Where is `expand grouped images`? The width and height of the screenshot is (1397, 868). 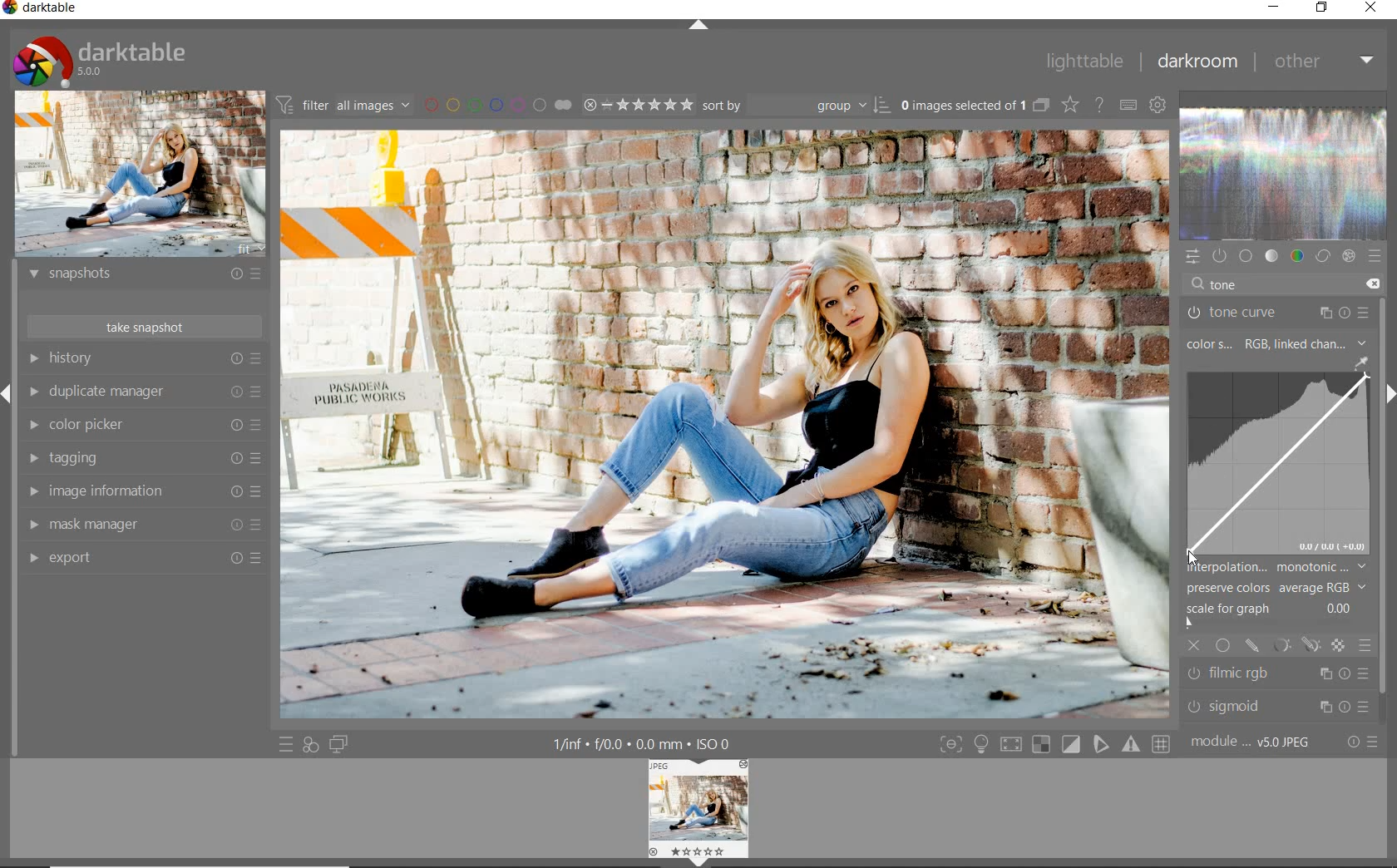 expand grouped images is located at coordinates (975, 105).